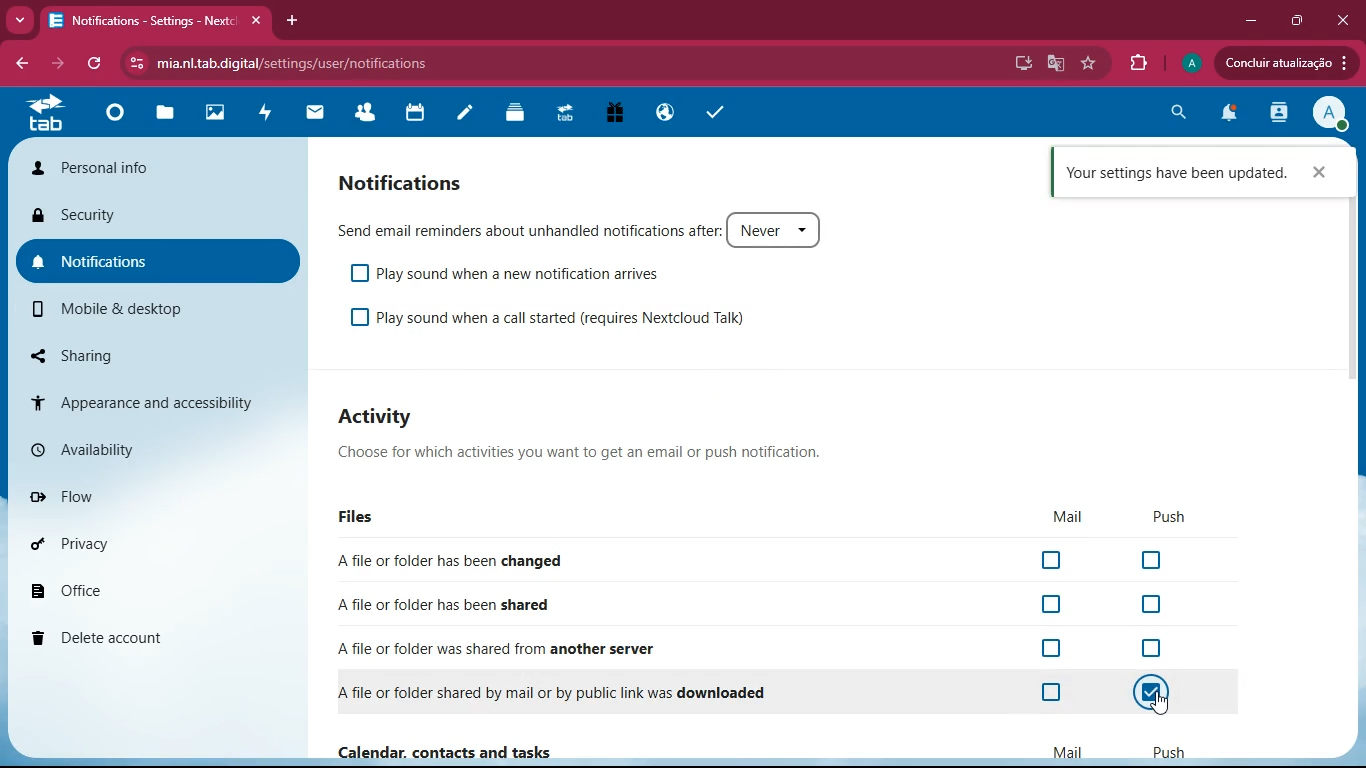 The height and width of the screenshot is (768, 1366). Describe the element at coordinates (1250, 21) in the screenshot. I see `minimize` at that location.